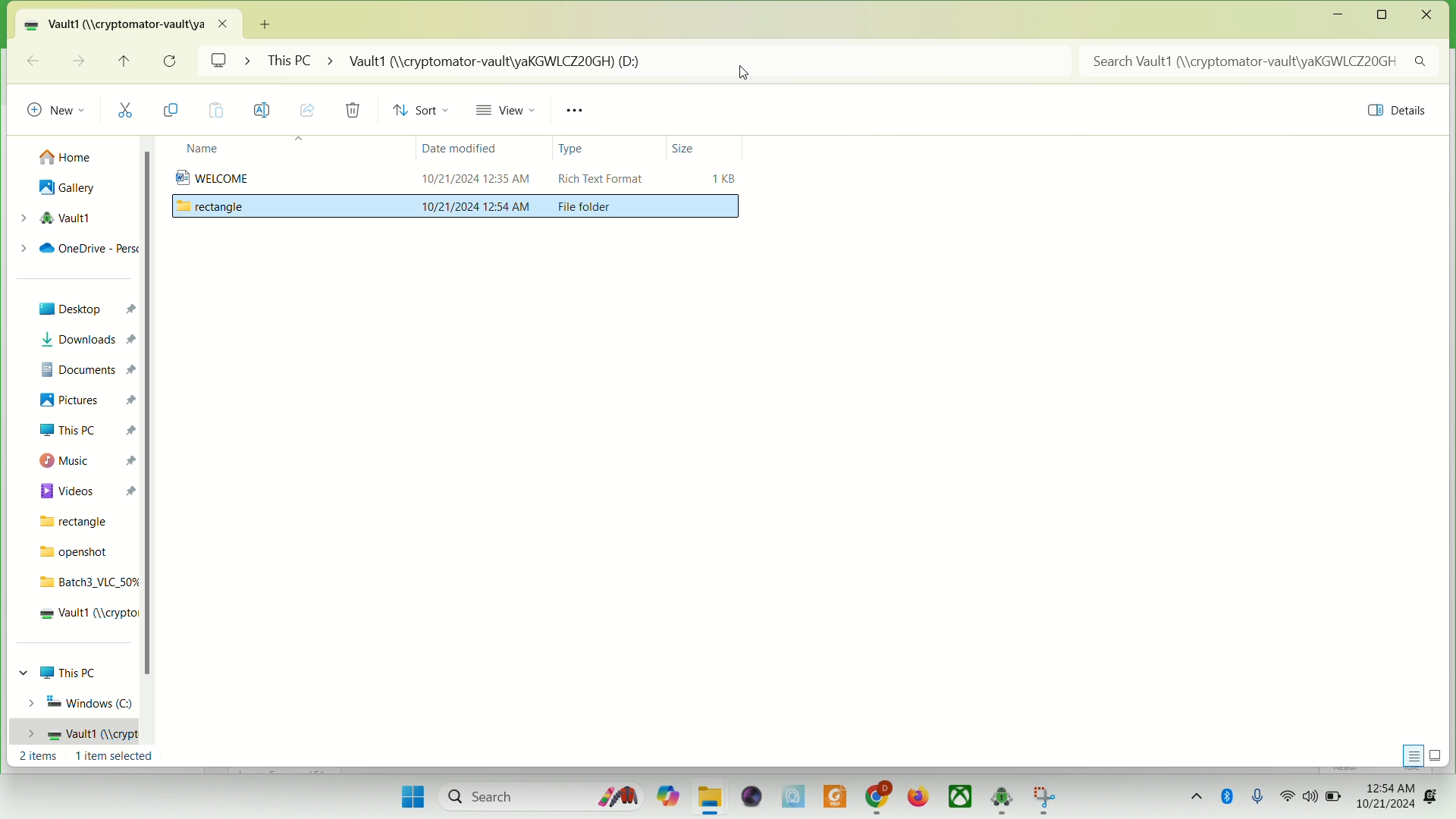 Image resolution: width=1456 pixels, height=819 pixels. What do you see at coordinates (1410, 754) in the screenshot?
I see `display information` at bounding box center [1410, 754].